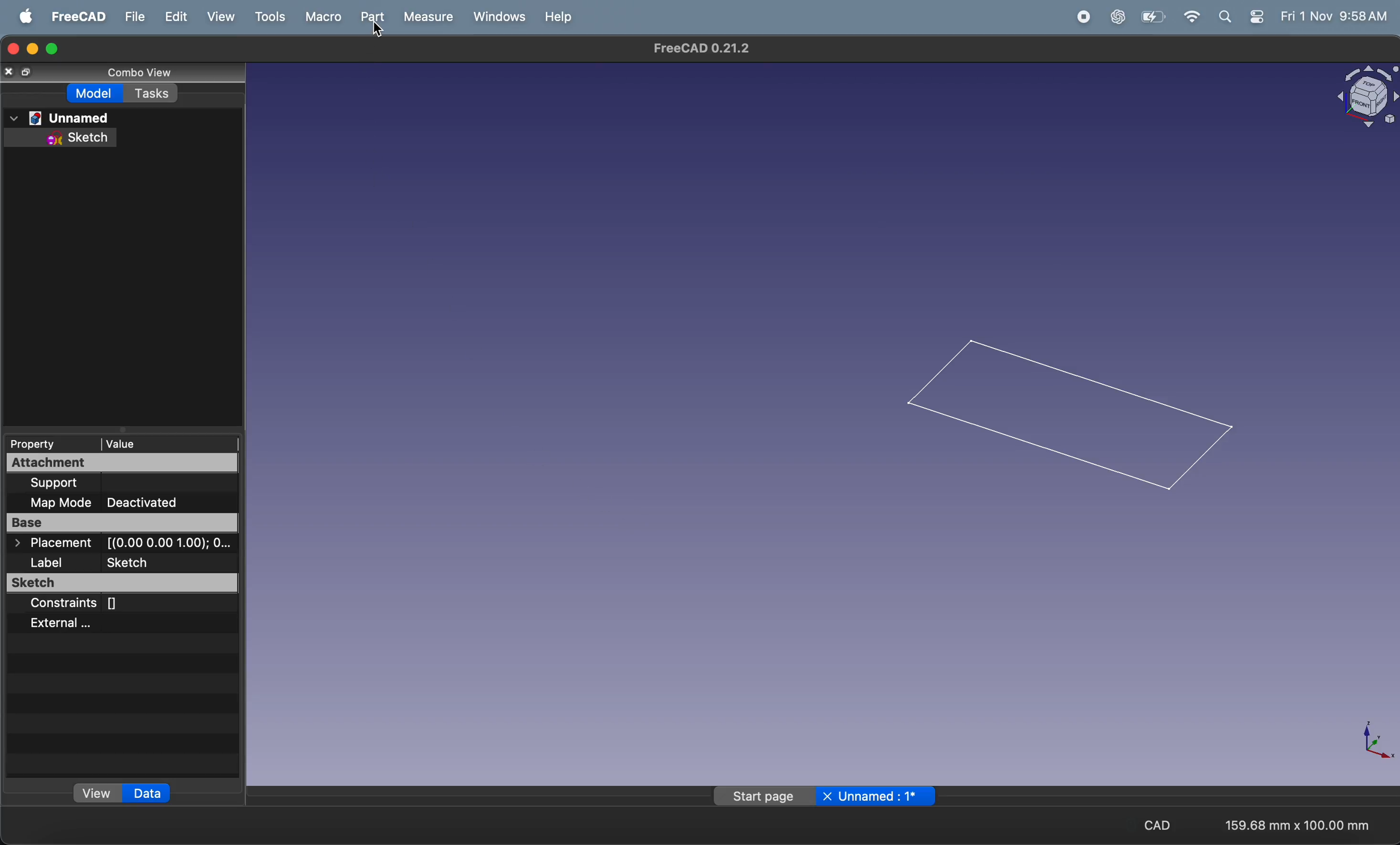 Image resolution: width=1400 pixels, height=845 pixels. I want to click on close, so click(16, 73).